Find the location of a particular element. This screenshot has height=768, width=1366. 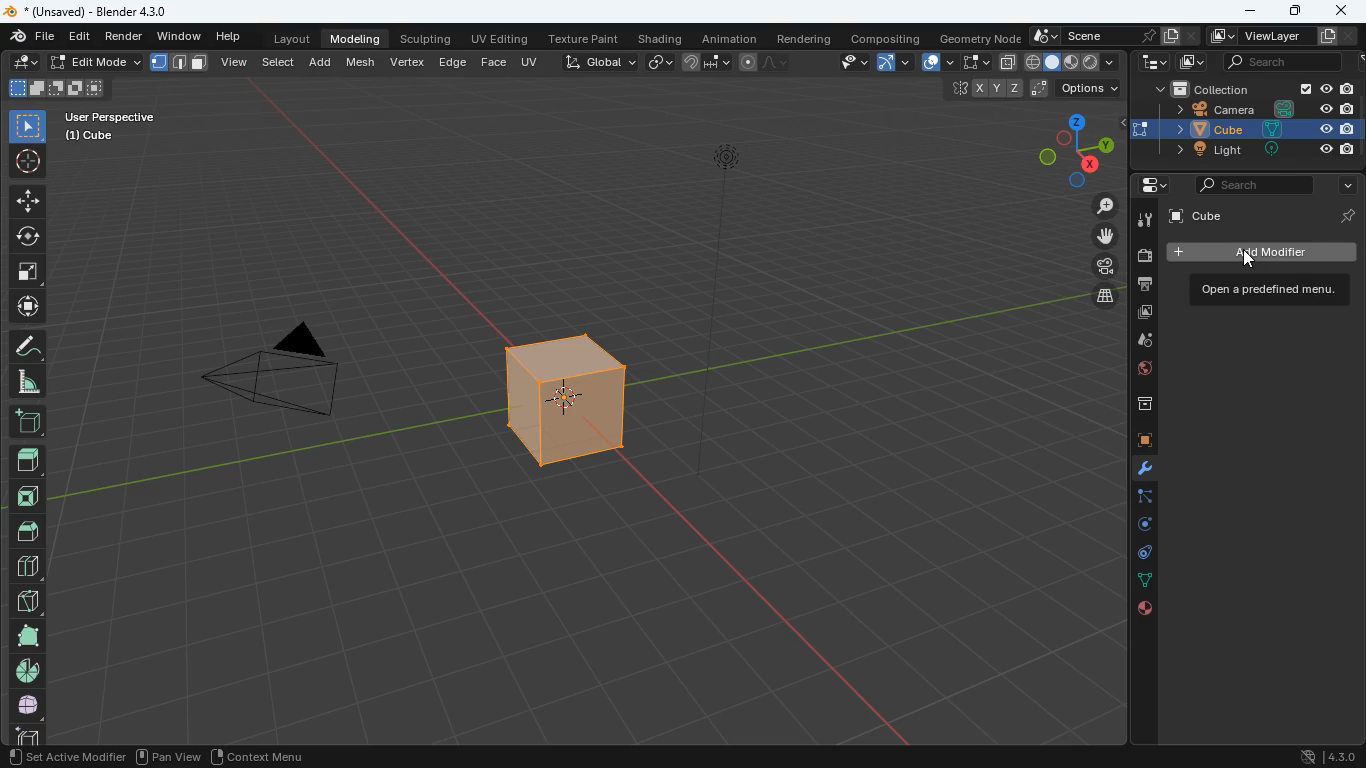

draw is located at coordinates (29, 348).